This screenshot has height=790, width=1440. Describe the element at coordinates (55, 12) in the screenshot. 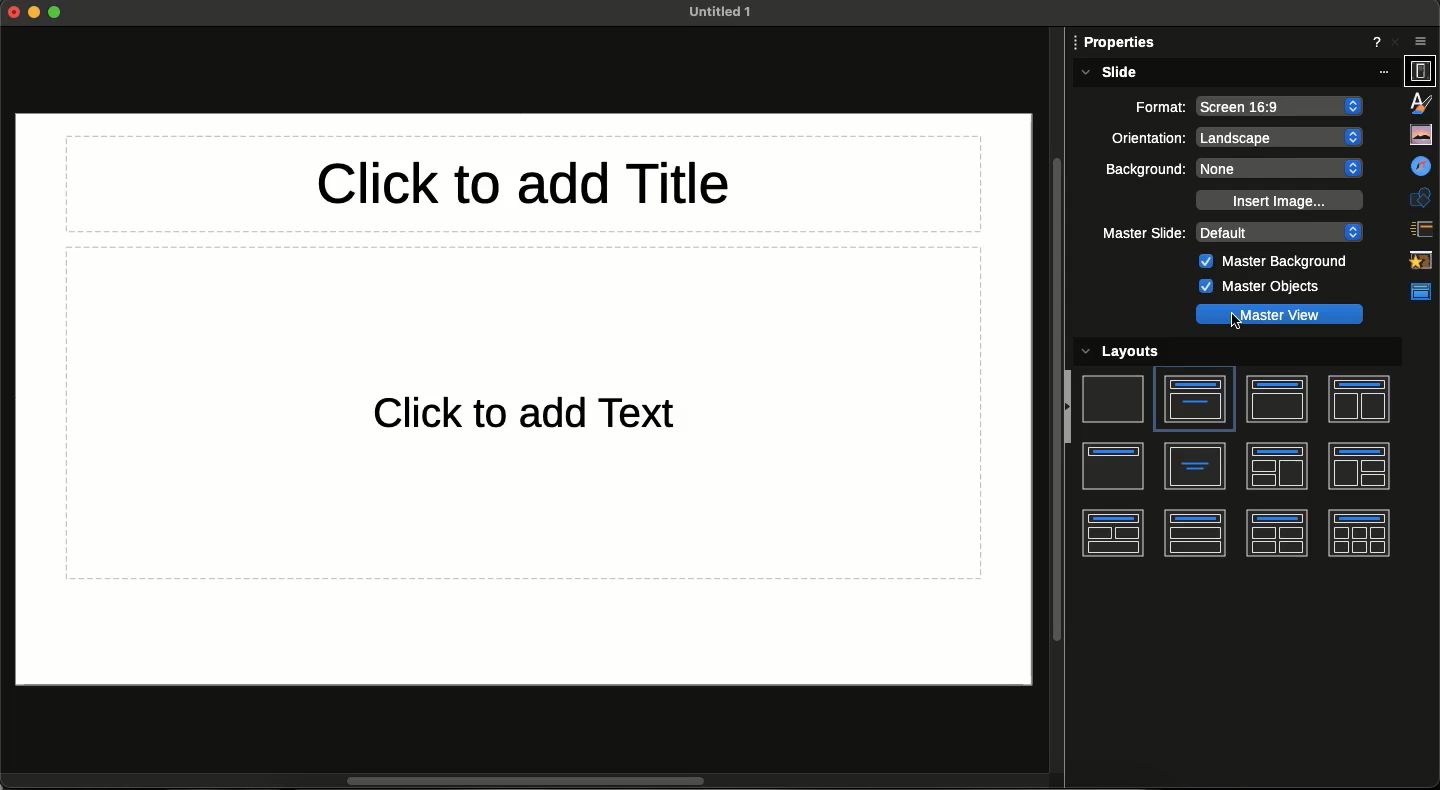

I see `Expand` at that location.